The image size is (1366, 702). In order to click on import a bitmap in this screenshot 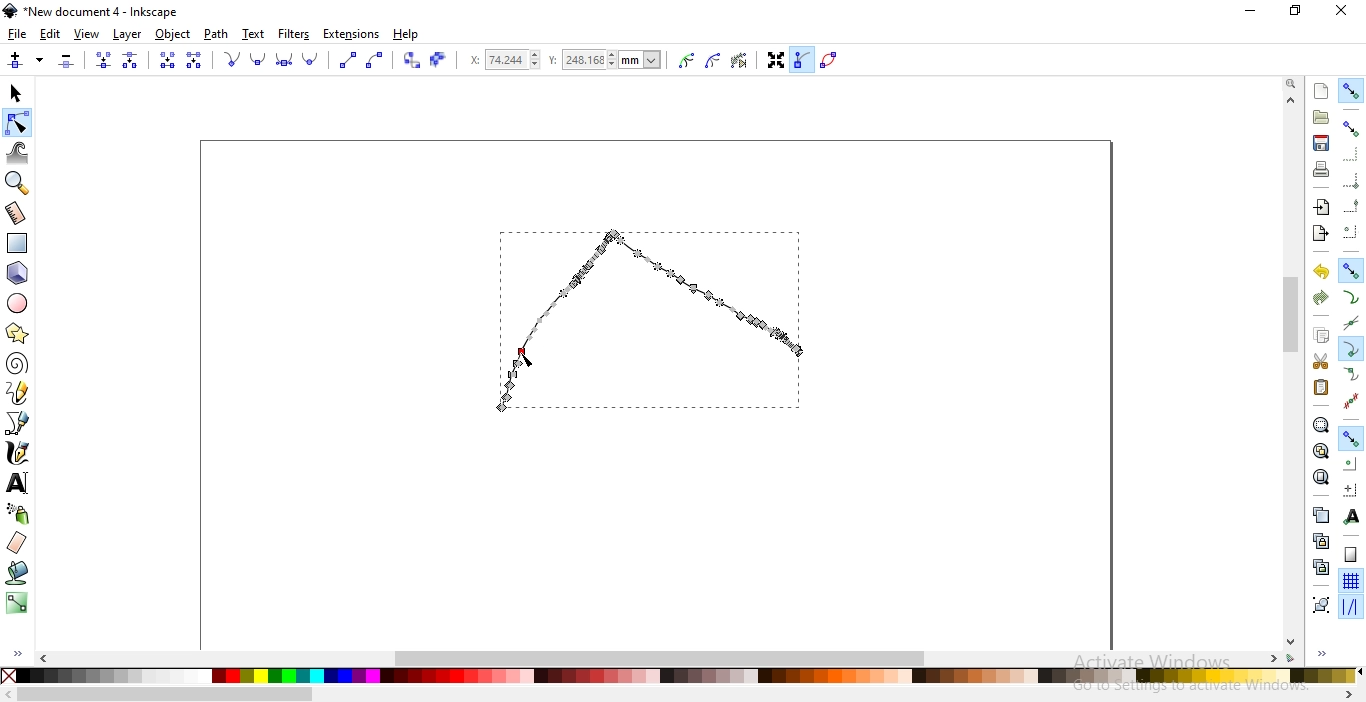, I will do `click(1322, 207)`.